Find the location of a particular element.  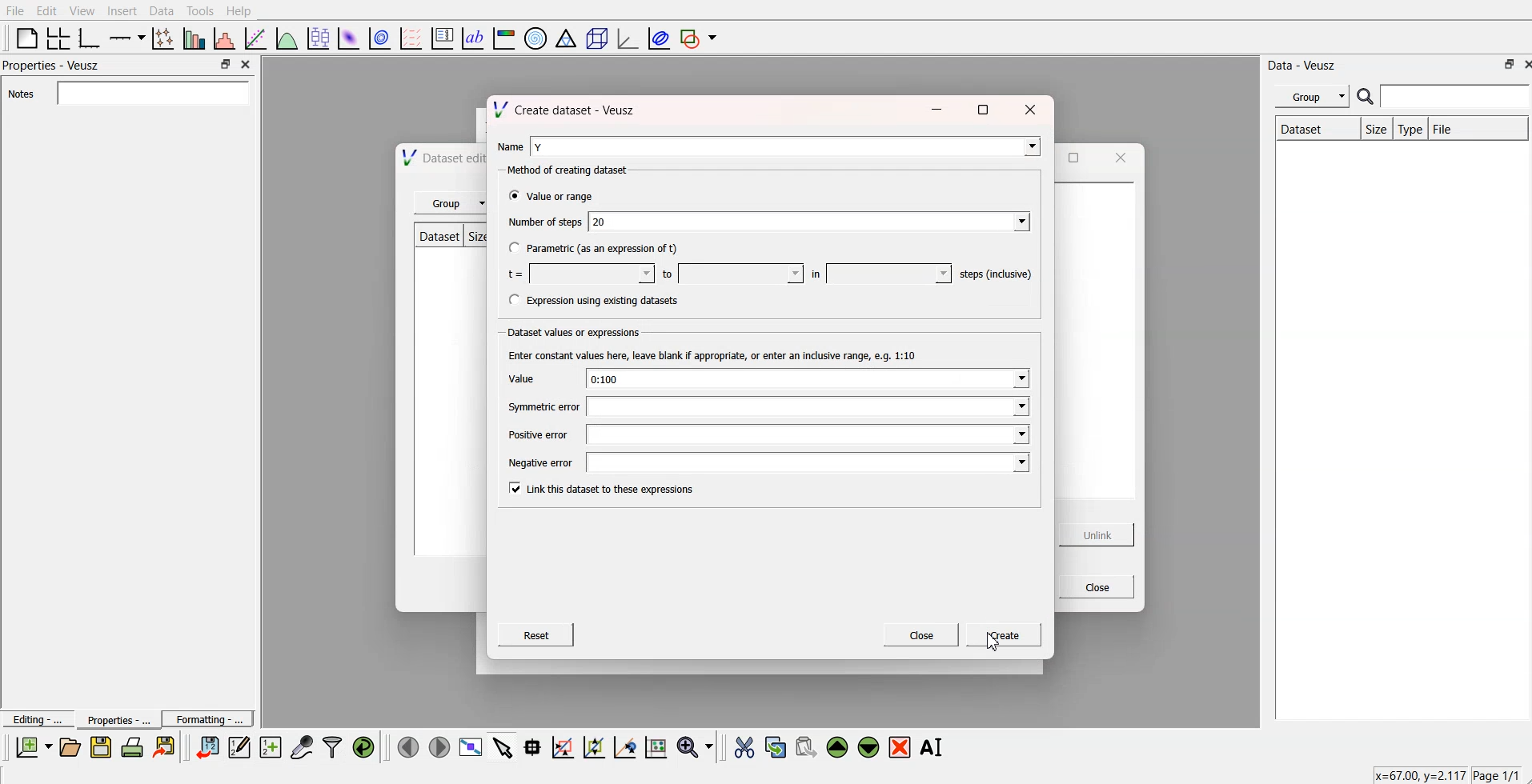

Data - Veusz is located at coordinates (1308, 64).